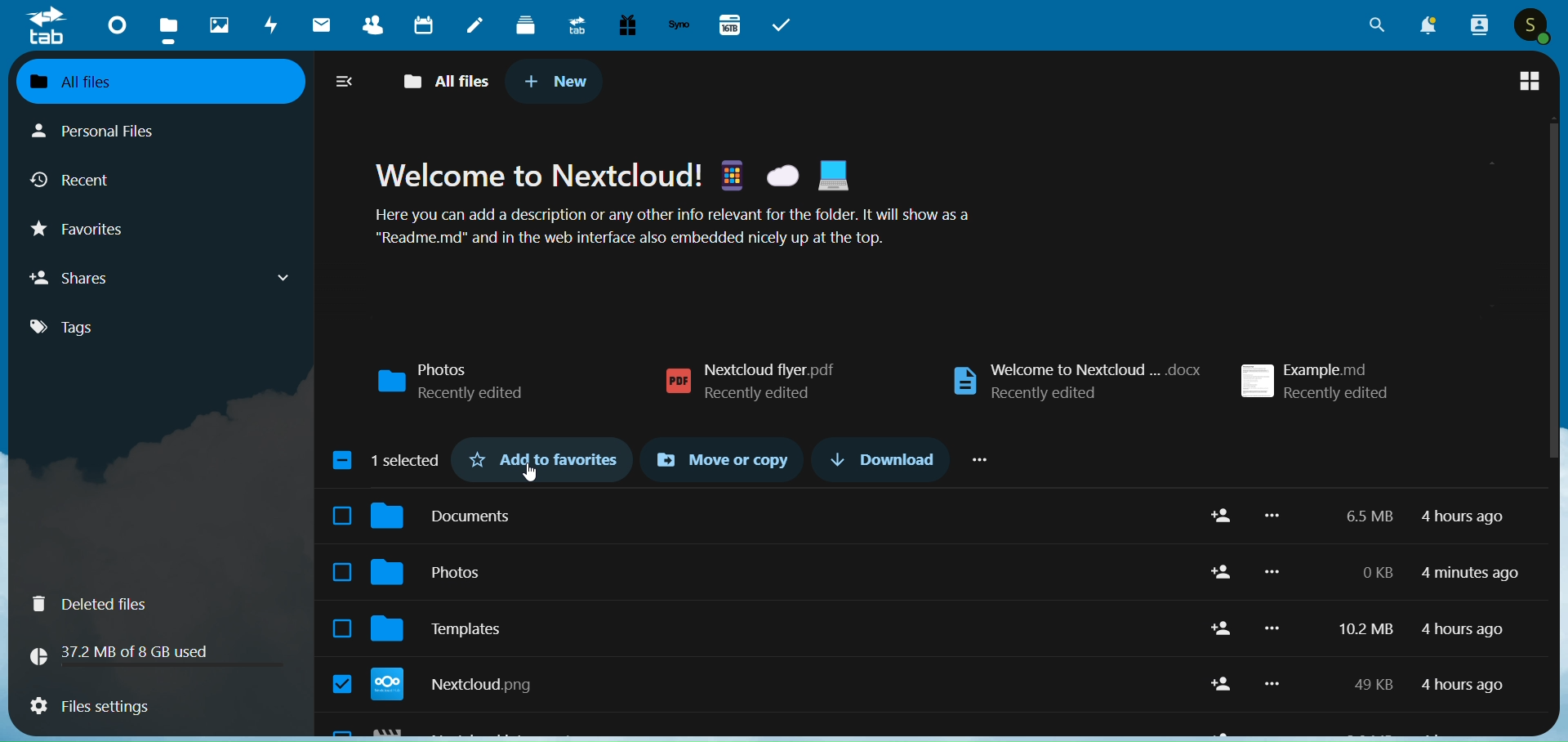 The width and height of the screenshot is (1568, 742). I want to click on Selected file , so click(341, 683).